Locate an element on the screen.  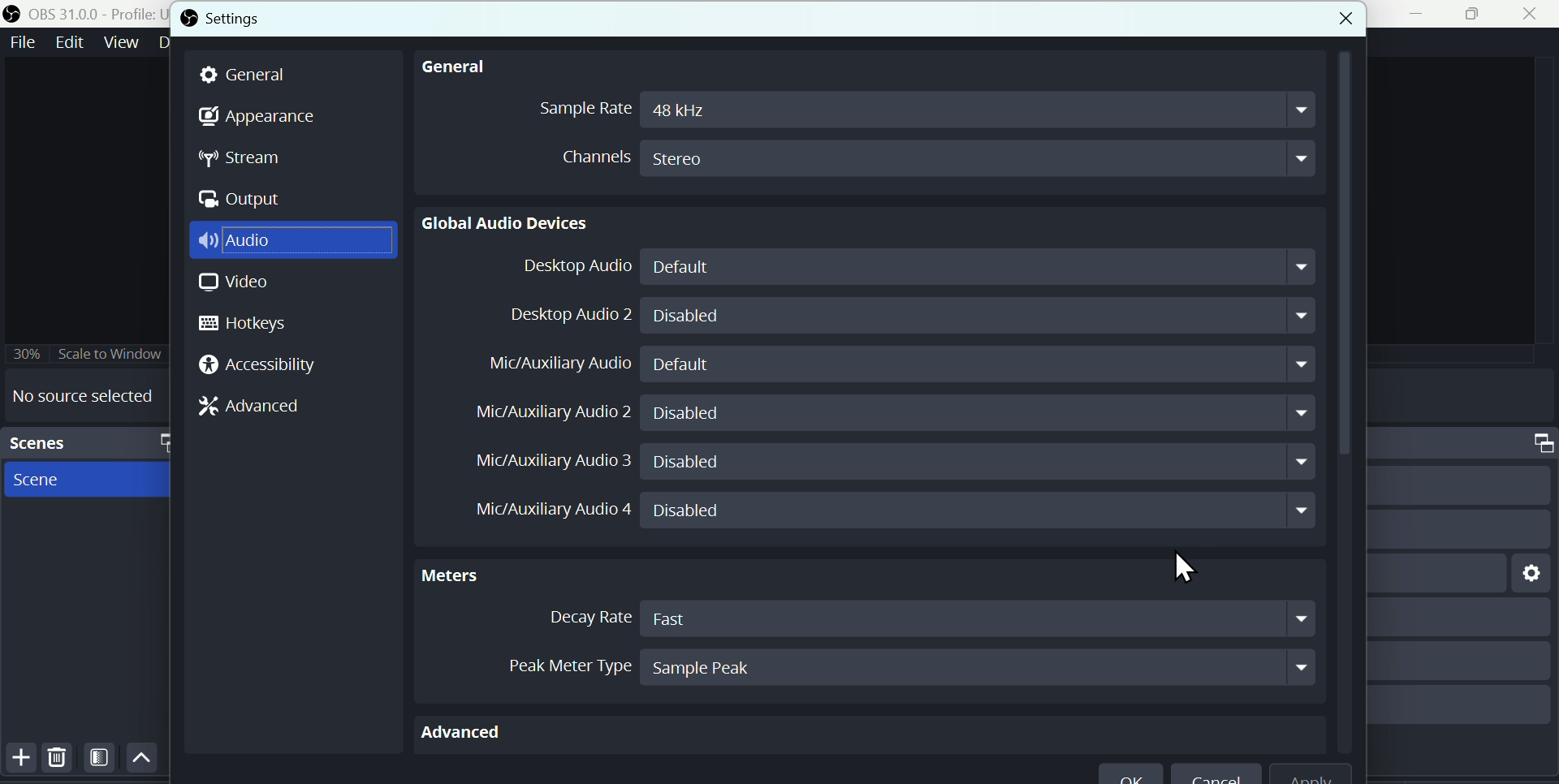
Video is located at coordinates (230, 285).